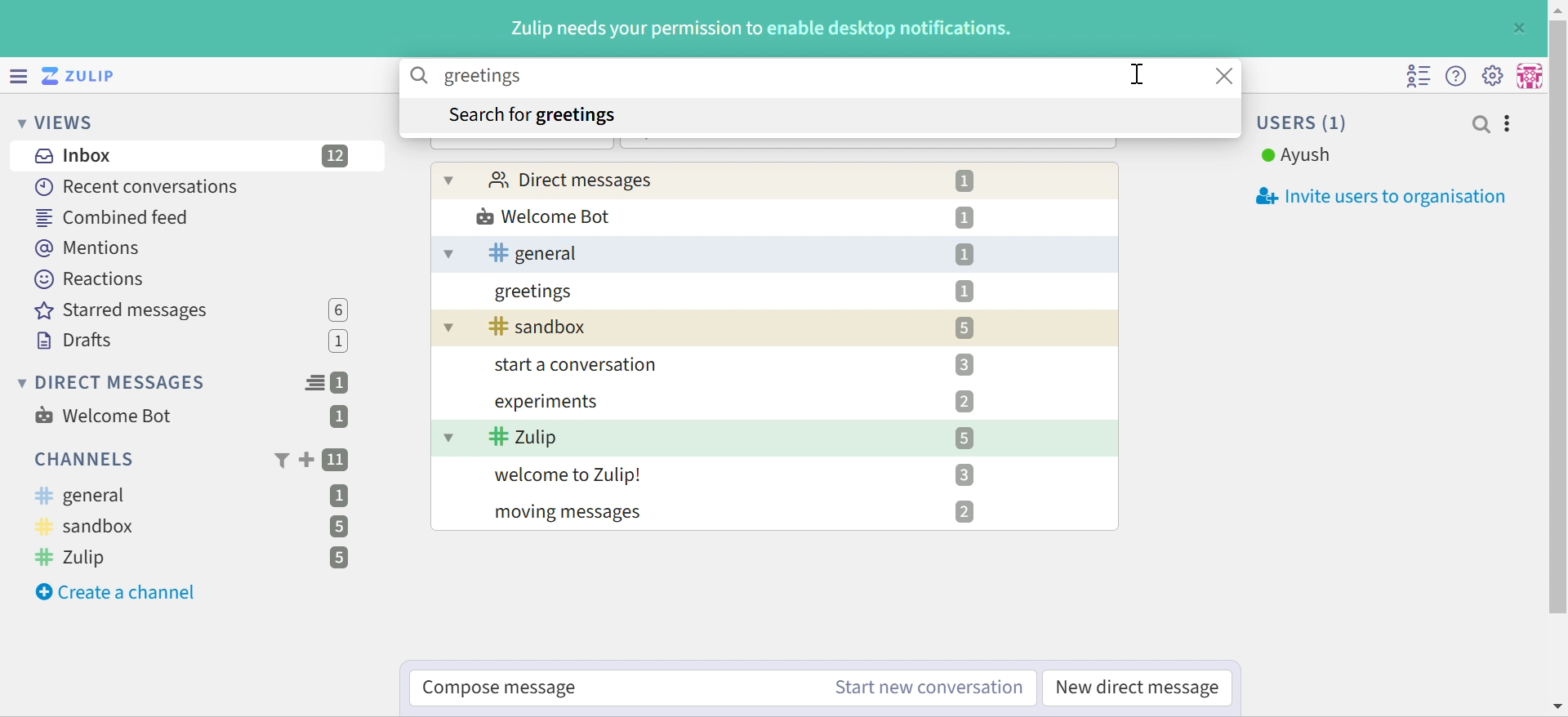  What do you see at coordinates (481, 78) in the screenshot?
I see `greetings` at bounding box center [481, 78].